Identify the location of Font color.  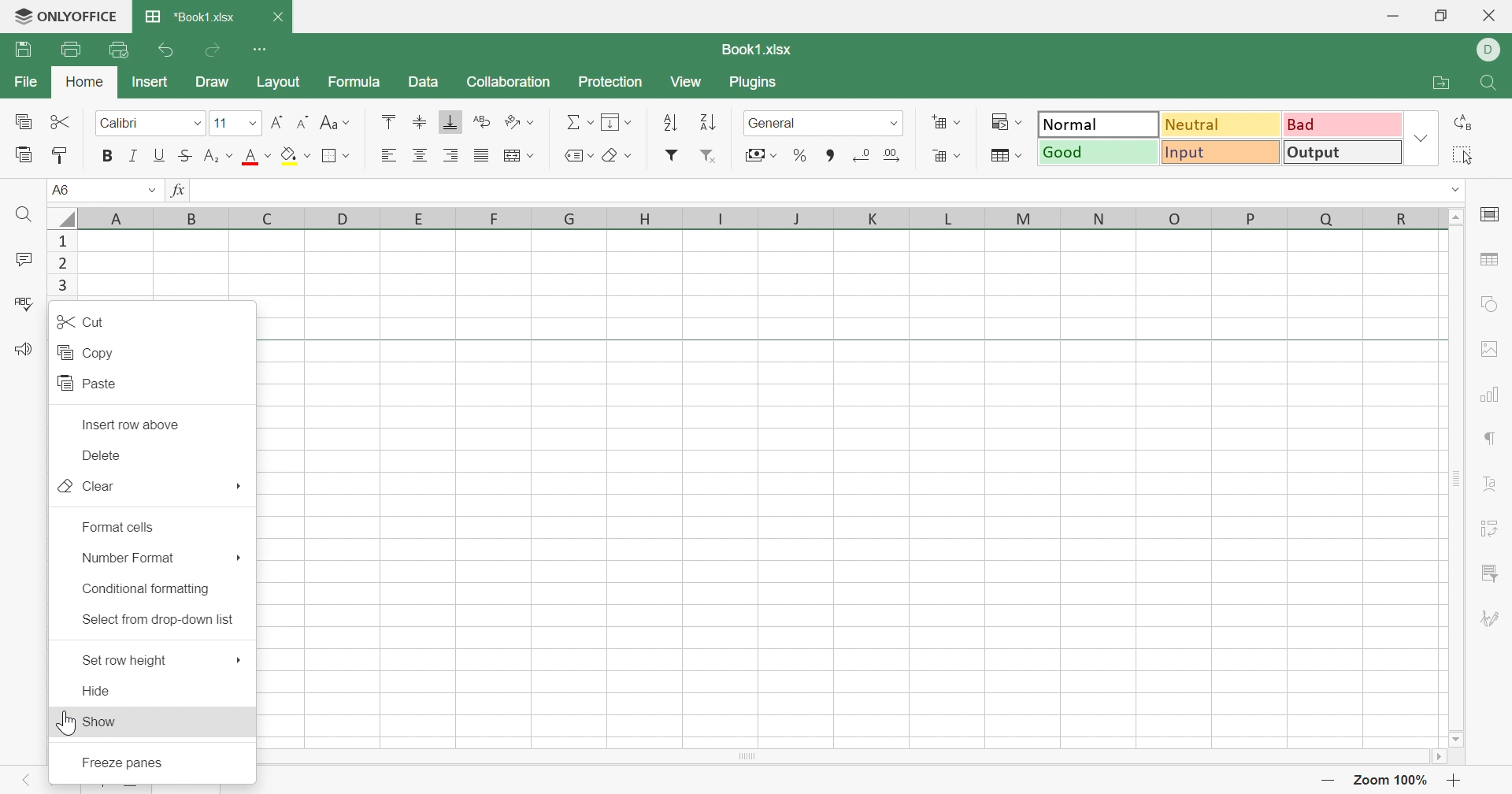
(258, 158).